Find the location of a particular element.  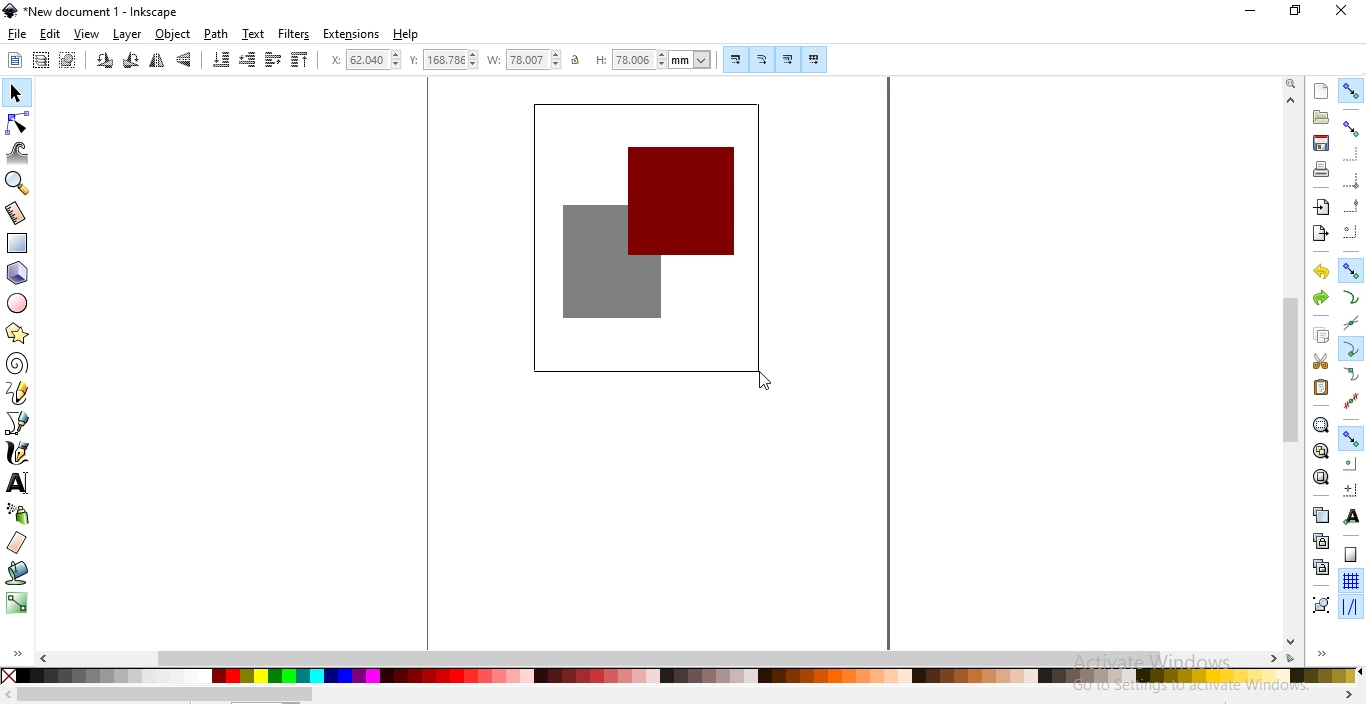

snap bounding boxes is located at coordinates (1353, 128).